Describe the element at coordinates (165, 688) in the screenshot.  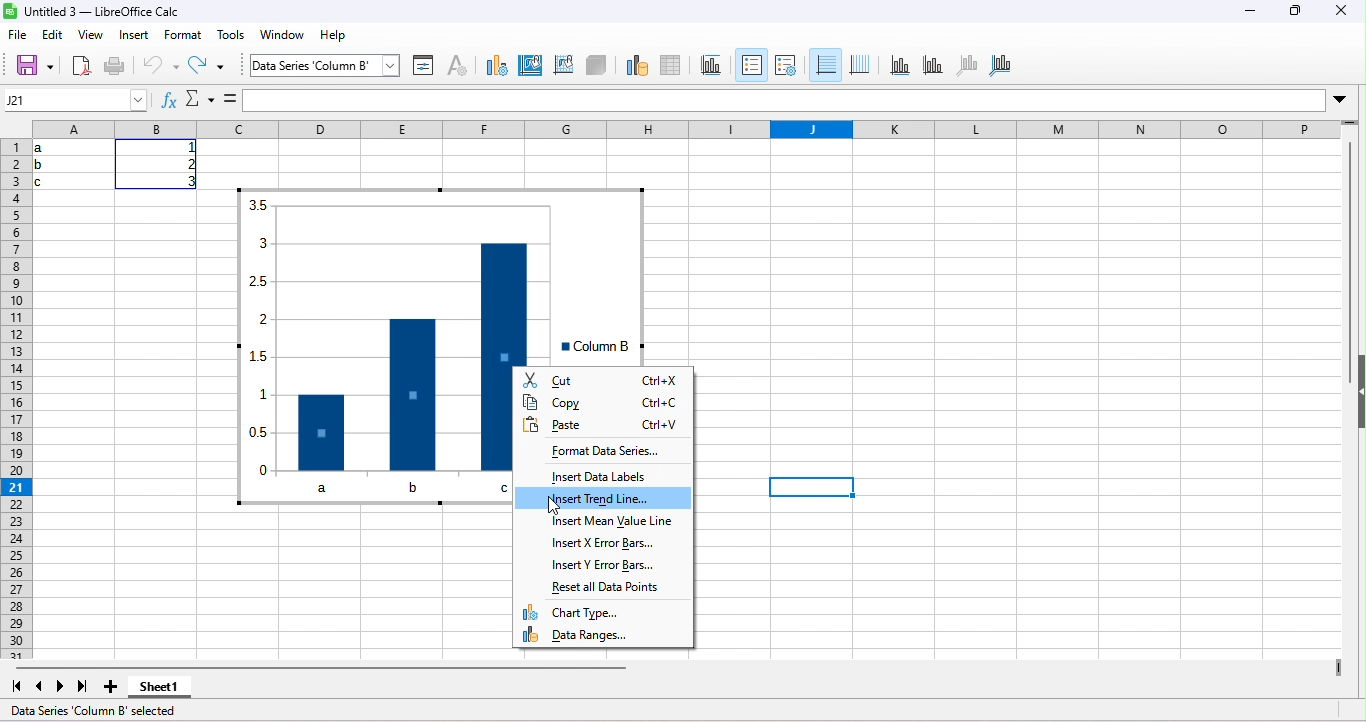
I see `sheet 1` at that location.